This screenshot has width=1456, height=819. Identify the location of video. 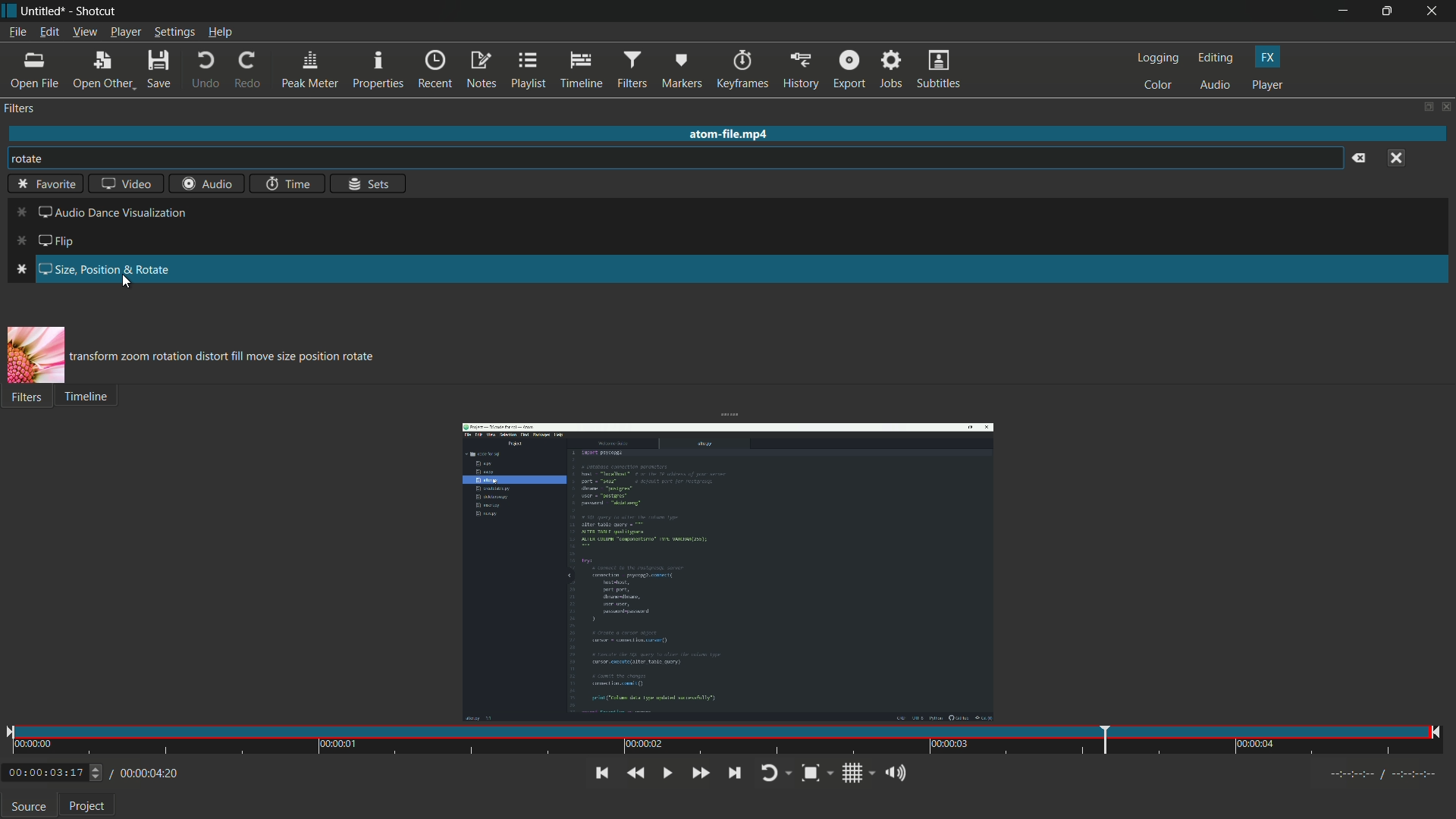
(127, 184).